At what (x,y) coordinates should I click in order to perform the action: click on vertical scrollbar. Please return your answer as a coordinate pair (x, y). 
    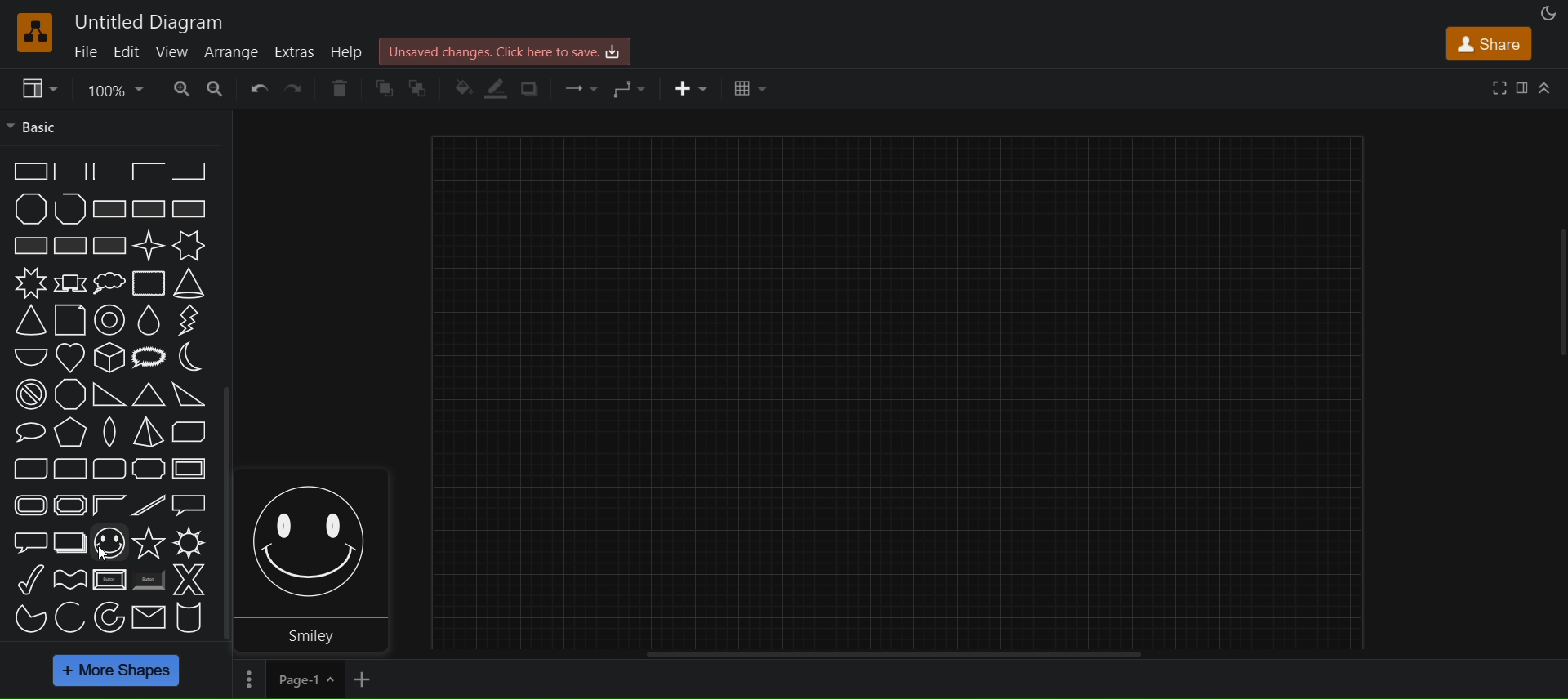
    Looking at the image, I should click on (1558, 295).